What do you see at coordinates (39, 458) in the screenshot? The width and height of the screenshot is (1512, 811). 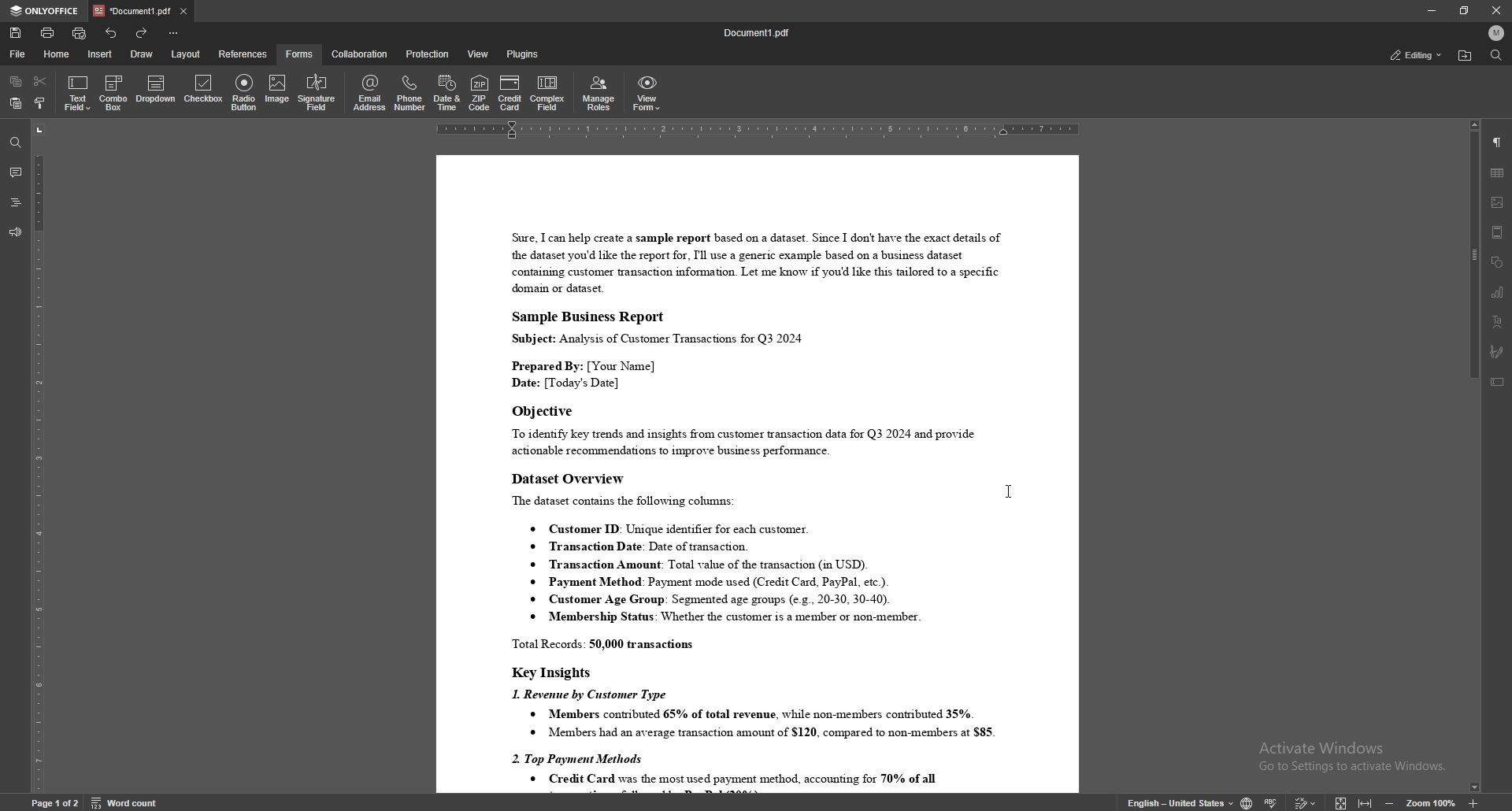 I see `vertical scale` at bounding box center [39, 458].